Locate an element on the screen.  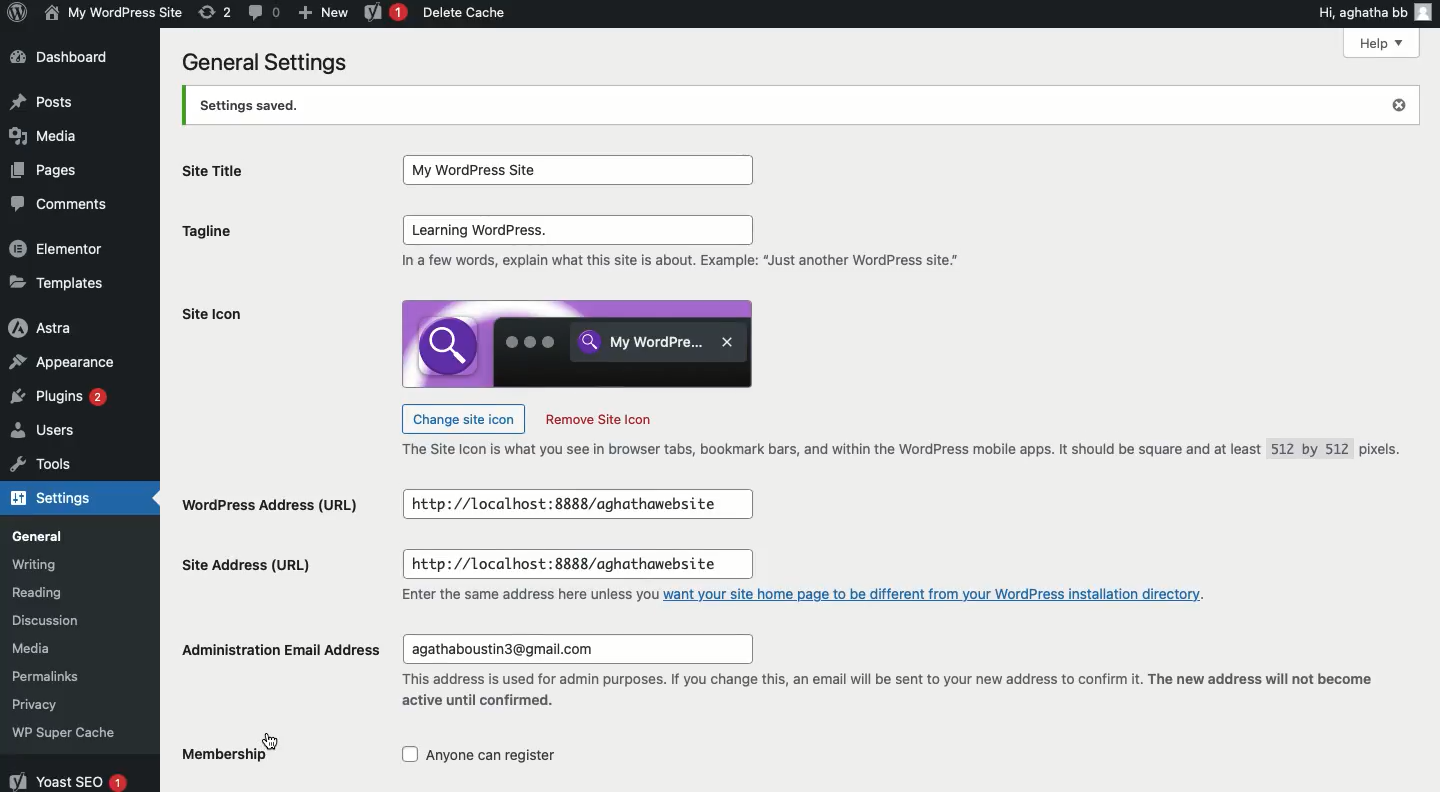
Remove site icon is located at coordinates (608, 421).